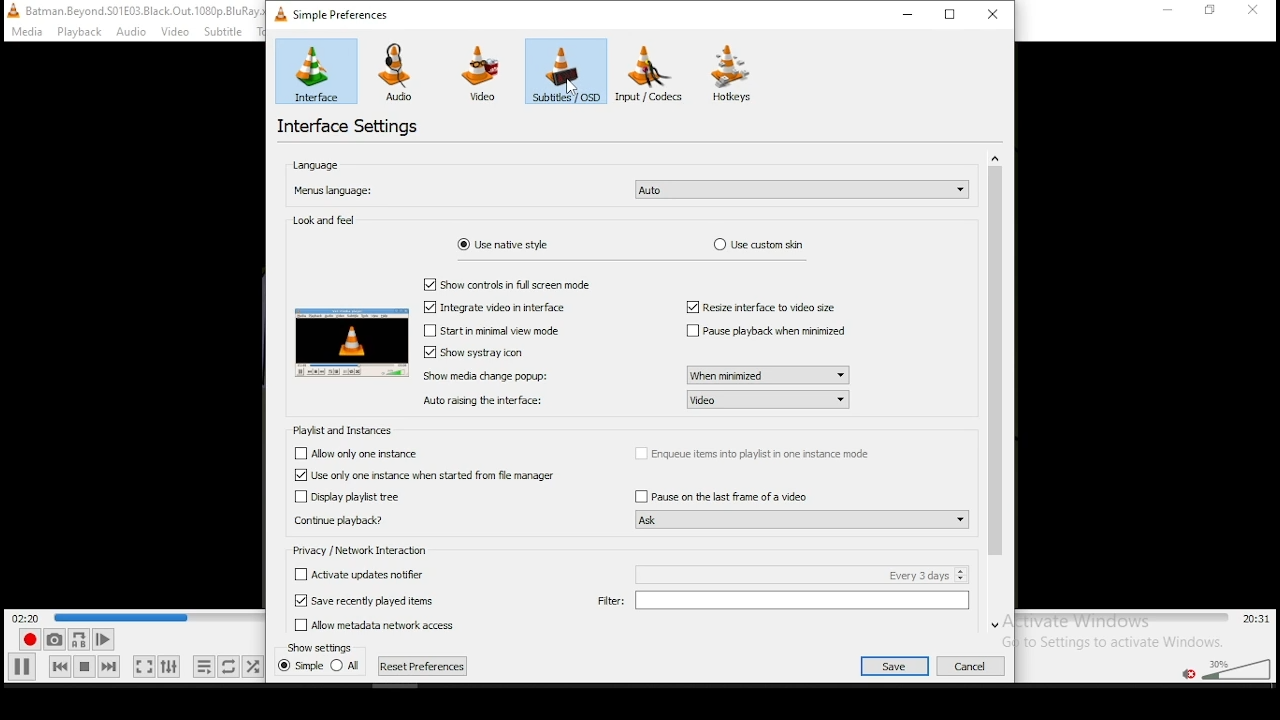 The width and height of the screenshot is (1280, 720). I want to click on random, so click(253, 667).